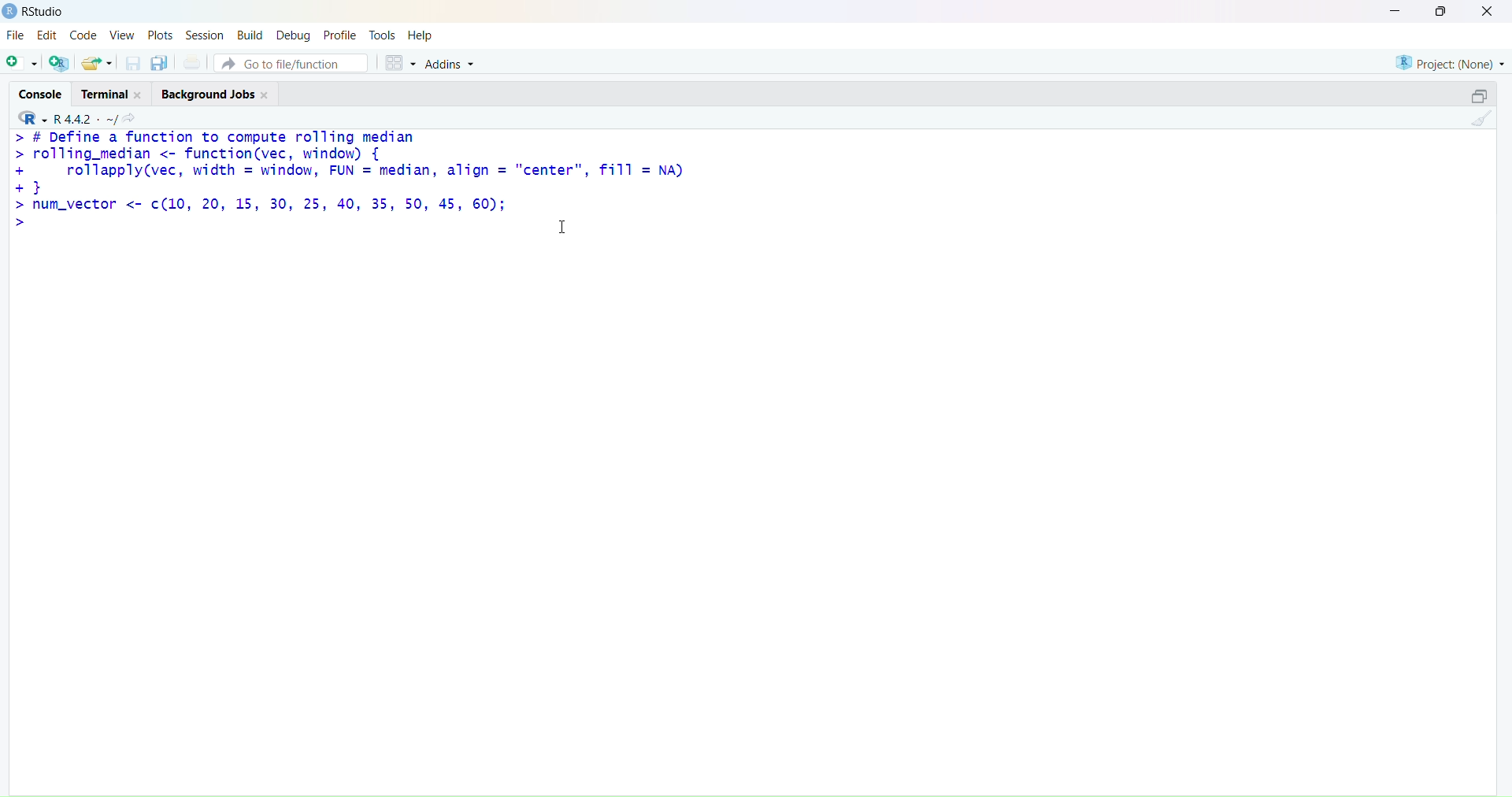  Describe the element at coordinates (292, 37) in the screenshot. I see `debug` at that location.